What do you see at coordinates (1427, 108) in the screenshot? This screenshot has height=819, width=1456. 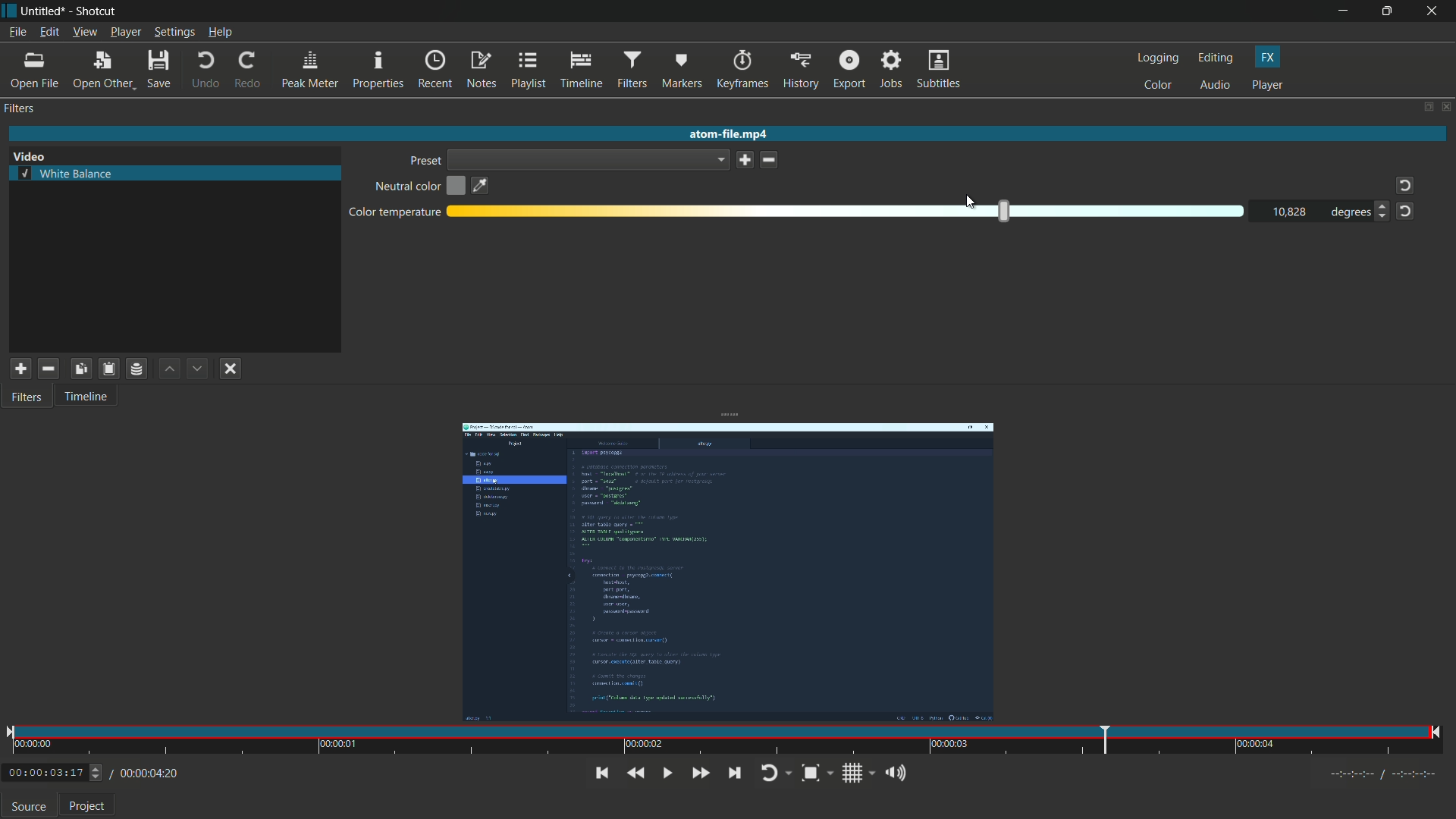 I see `change layout` at bounding box center [1427, 108].